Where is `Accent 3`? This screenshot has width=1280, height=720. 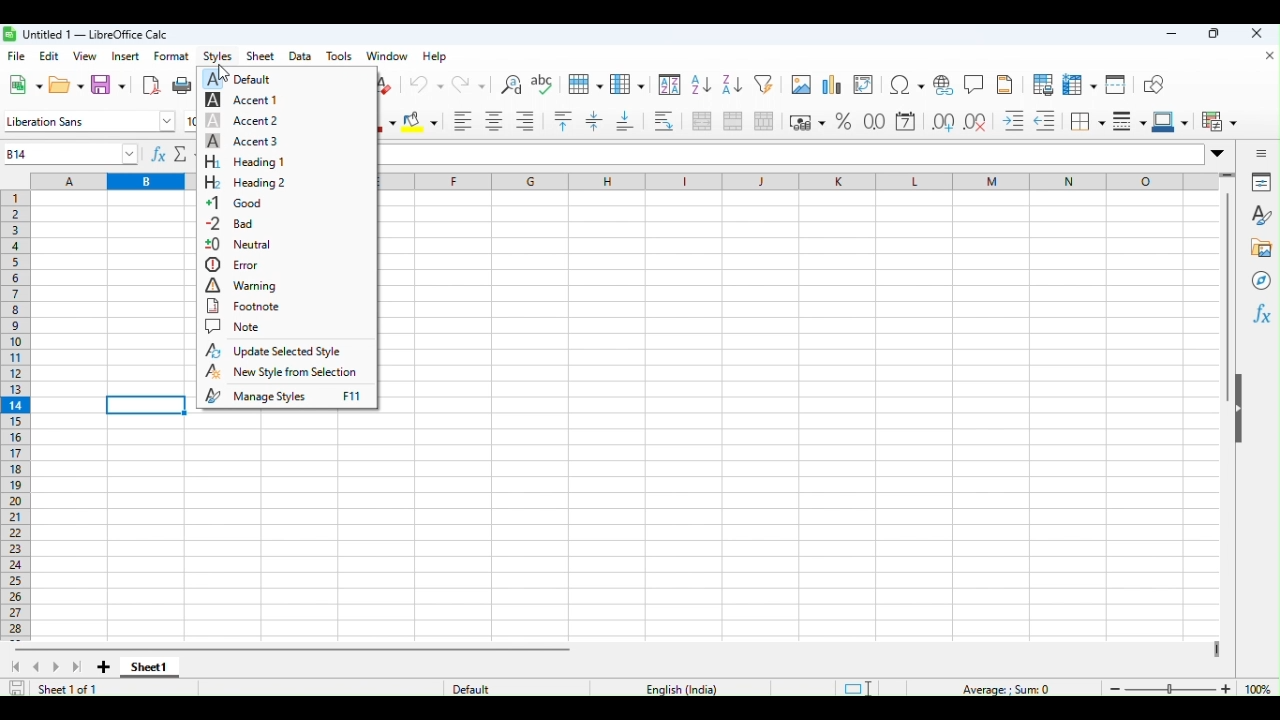
Accent 3 is located at coordinates (242, 141).